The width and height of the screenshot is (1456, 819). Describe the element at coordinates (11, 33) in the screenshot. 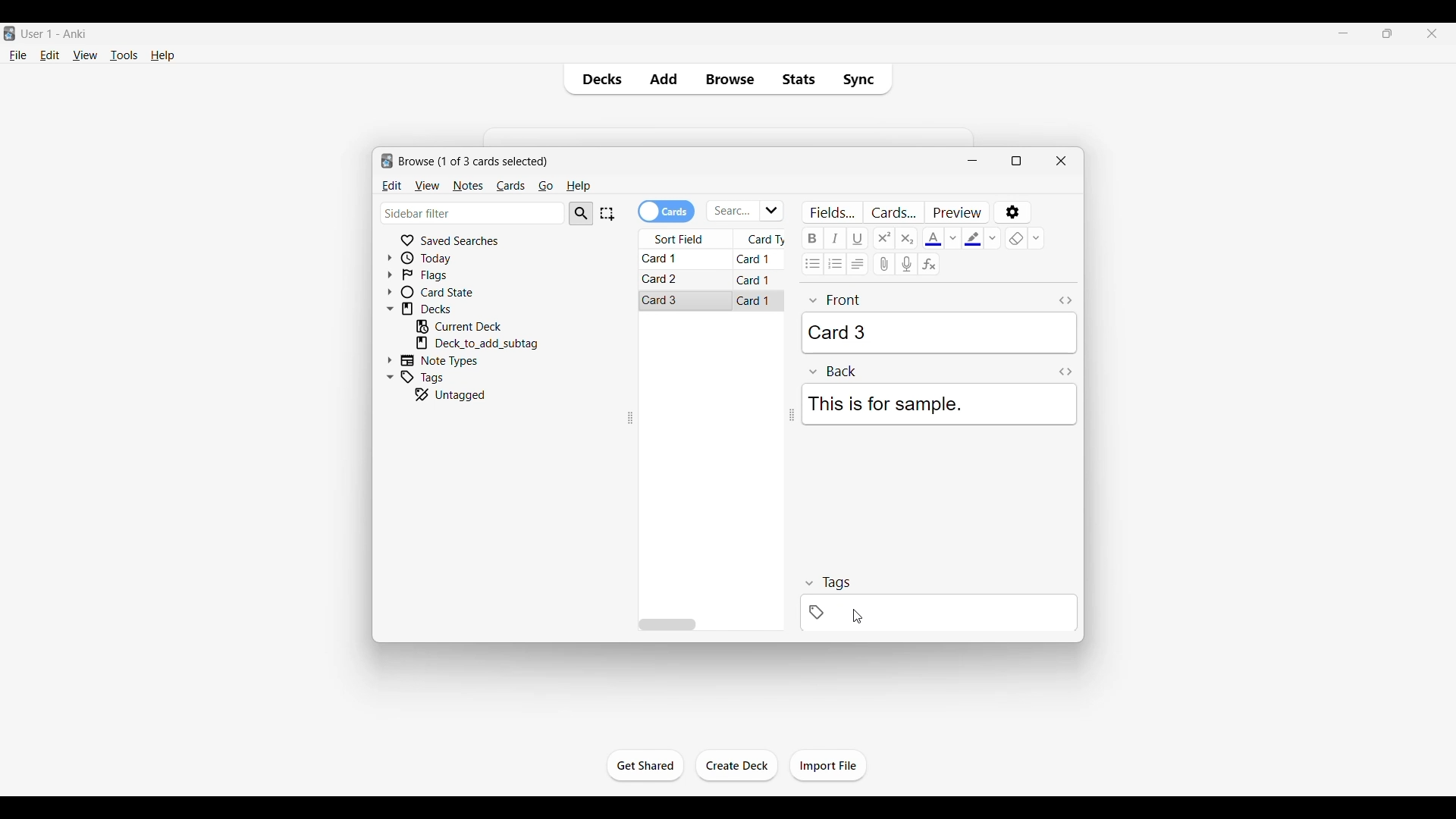

I see `Software logo` at that location.